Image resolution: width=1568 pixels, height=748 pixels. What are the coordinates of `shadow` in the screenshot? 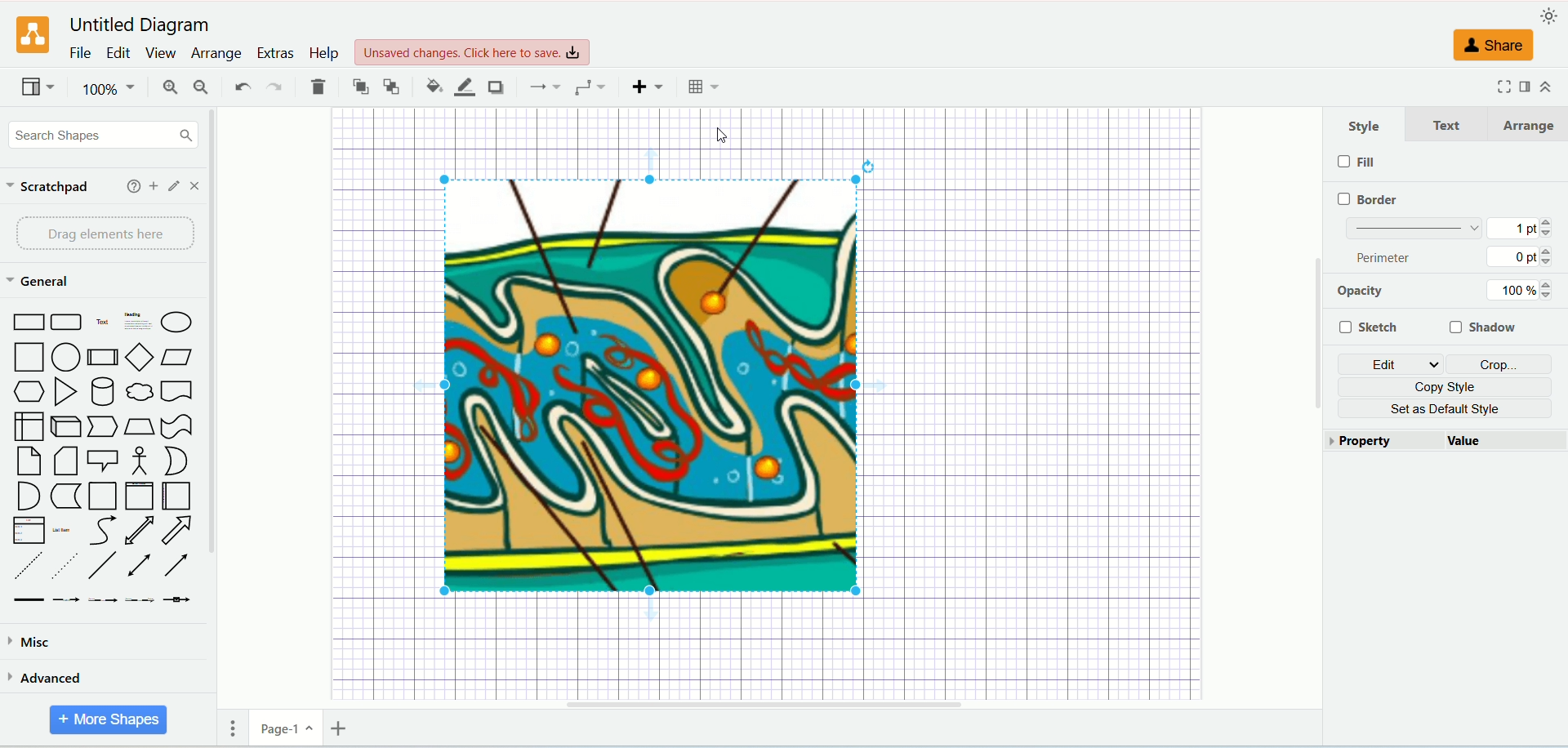 It's located at (501, 88).